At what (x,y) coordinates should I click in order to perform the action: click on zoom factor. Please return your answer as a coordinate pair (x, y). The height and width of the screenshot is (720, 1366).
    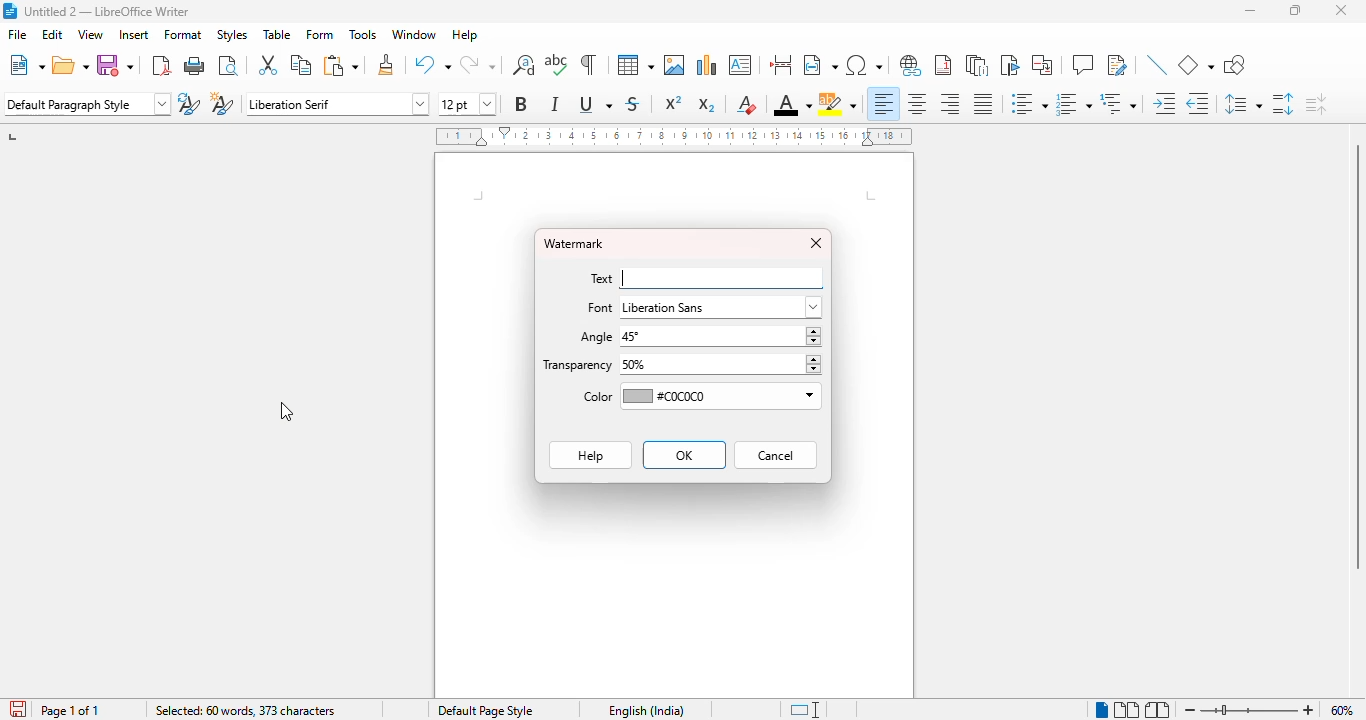
    Looking at the image, I should click on (1342, 710).